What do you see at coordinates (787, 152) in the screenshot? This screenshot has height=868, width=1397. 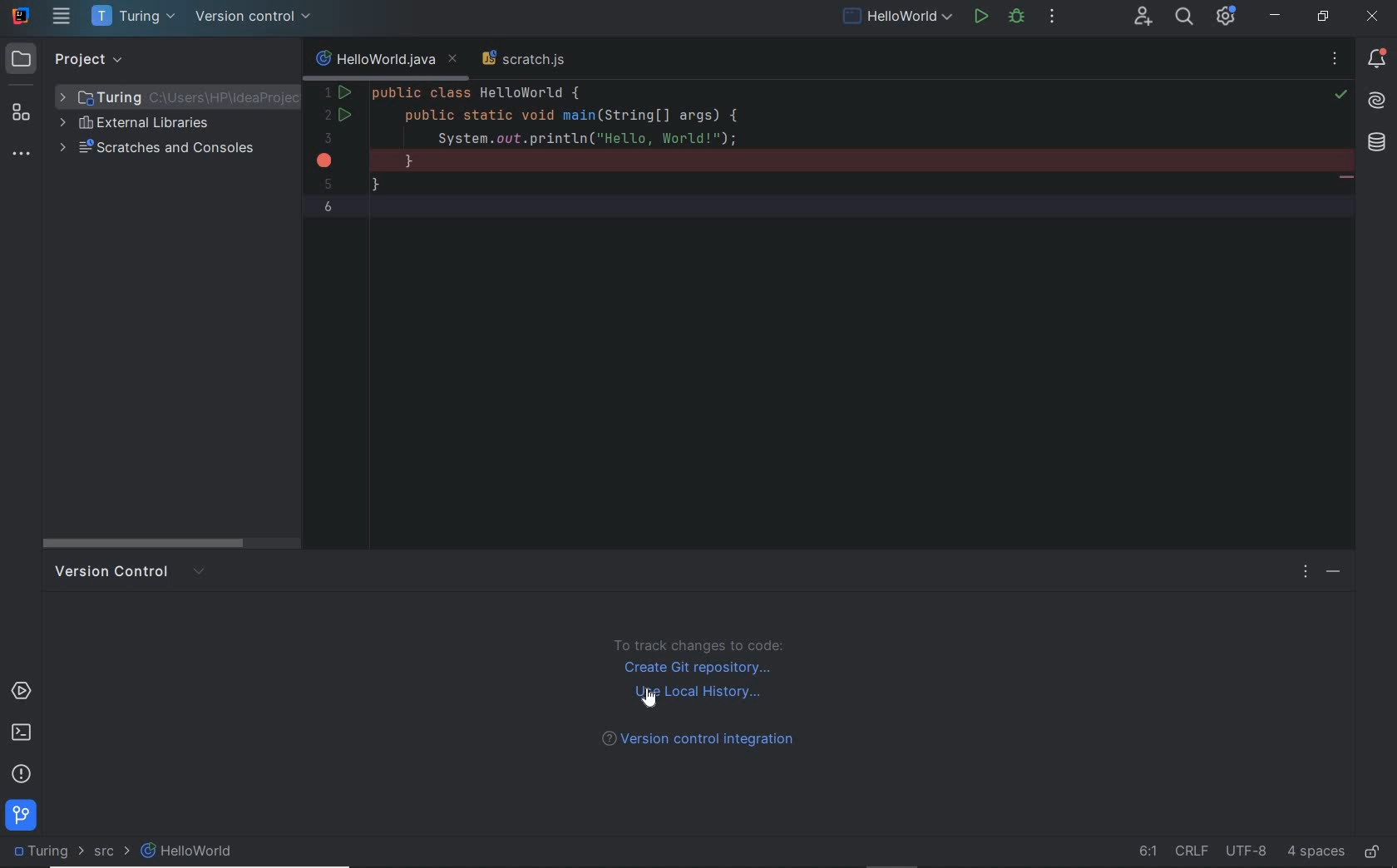 I see `codes` at bounding box center [787, 152].